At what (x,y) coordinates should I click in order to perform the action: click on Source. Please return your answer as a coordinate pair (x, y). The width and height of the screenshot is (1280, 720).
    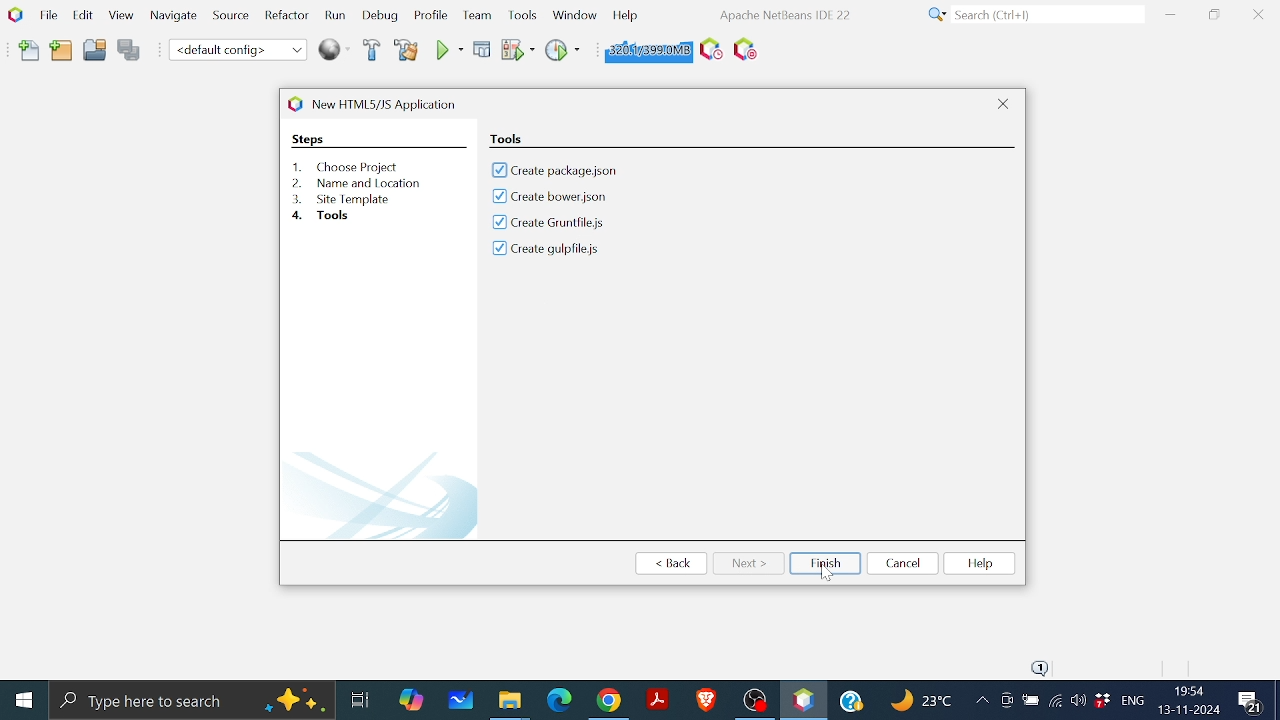
    Looking at the image, I should click on (228, 19).